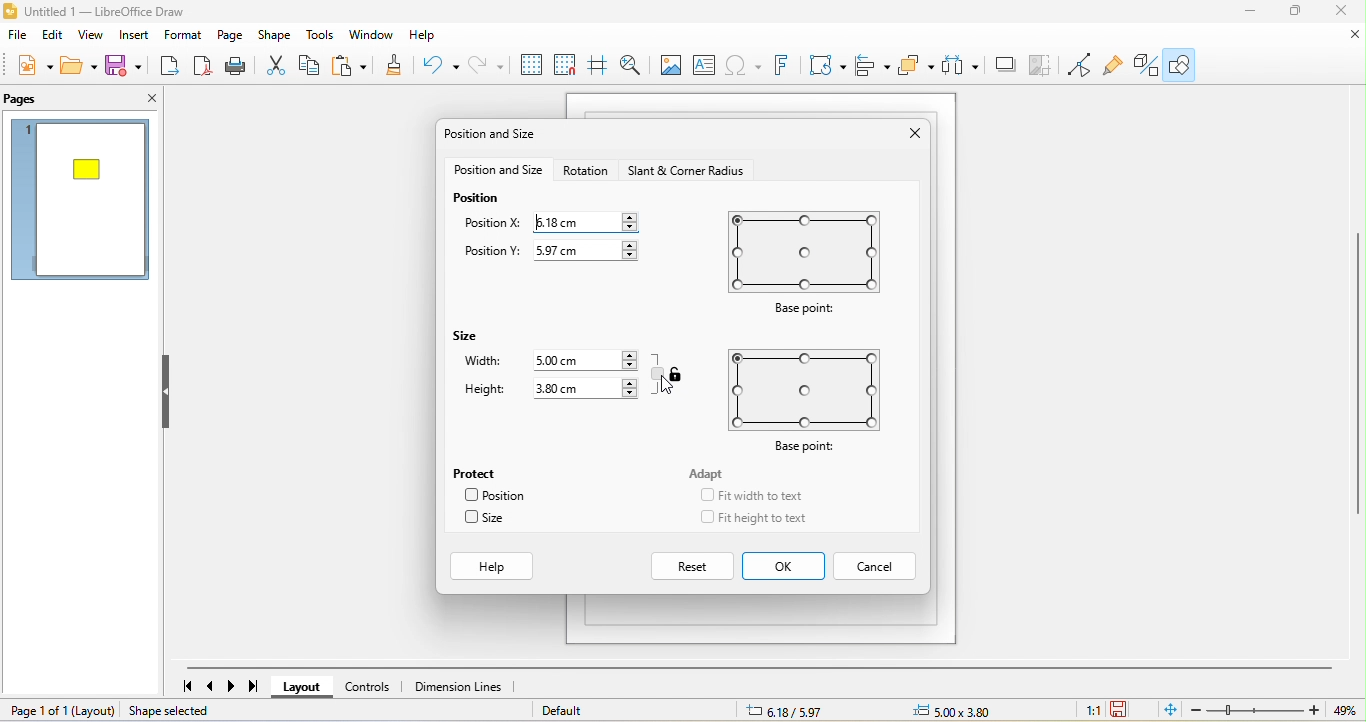  What do you see at coordinates (1006, 64) in the screenshot?
I see `shadow` at bounding box center [1006, 64].